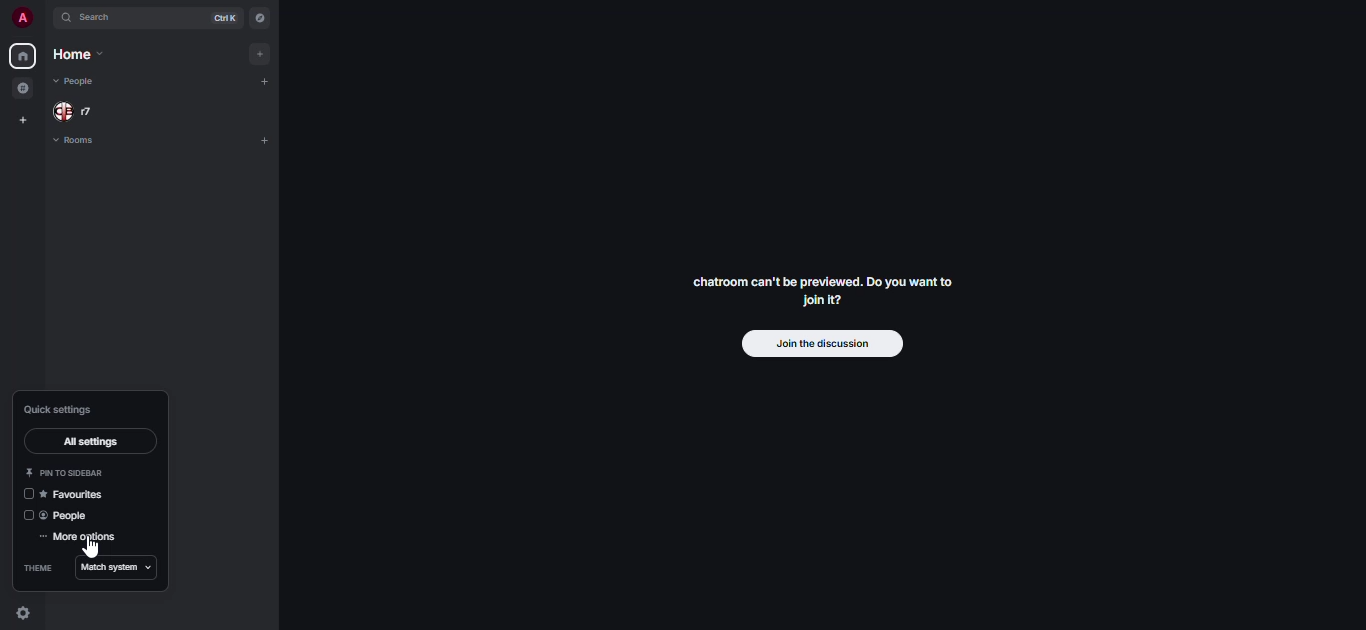 Image resolution: width=1366 pixels, height=630 pixels. Describe the element at coordinates (74, 141) in the screenshot. I see `rooms` at that location.